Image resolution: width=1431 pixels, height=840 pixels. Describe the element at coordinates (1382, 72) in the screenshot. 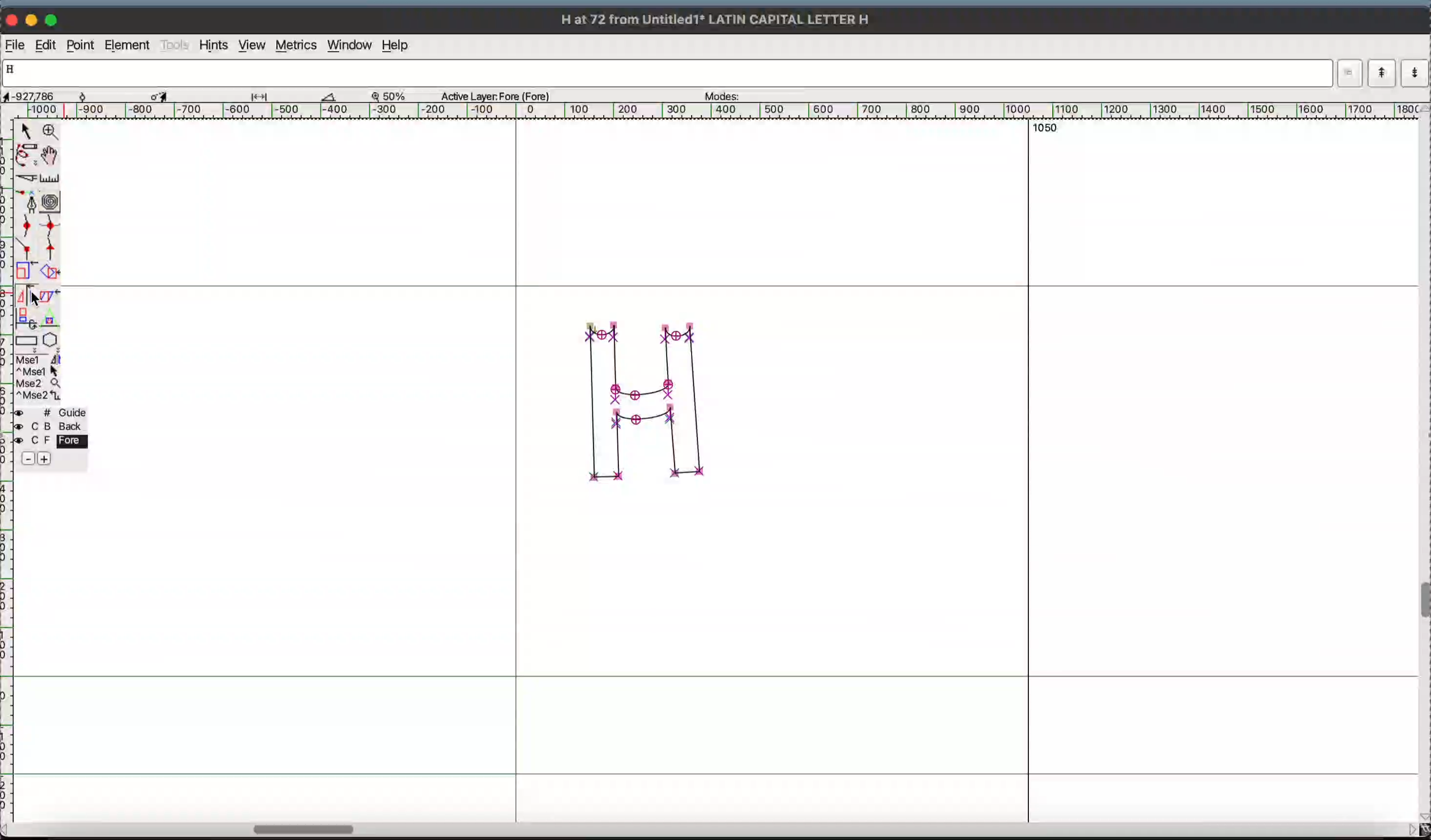

I see `previous word` at that location.